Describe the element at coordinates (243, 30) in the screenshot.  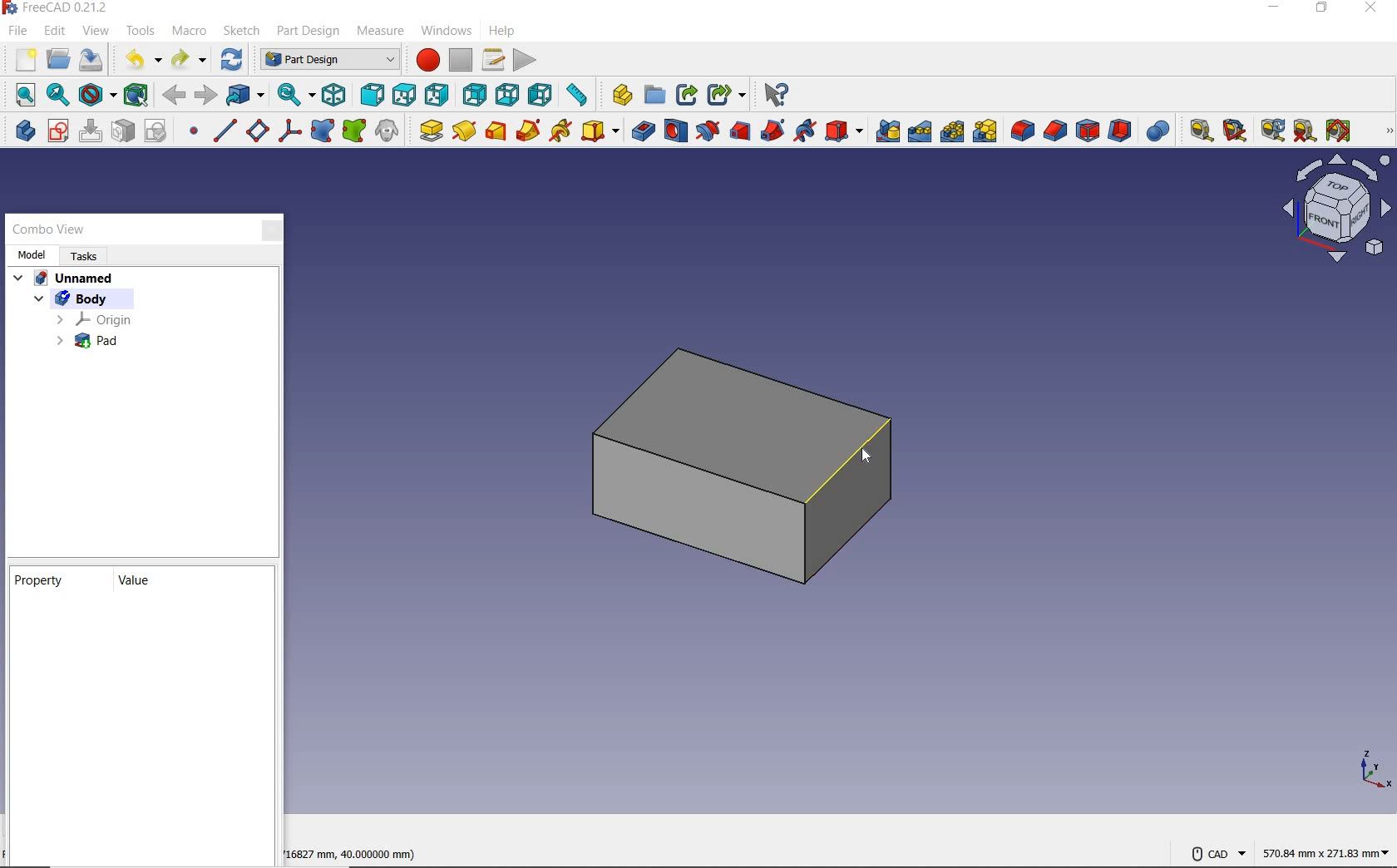
I see `sketch` at that location.